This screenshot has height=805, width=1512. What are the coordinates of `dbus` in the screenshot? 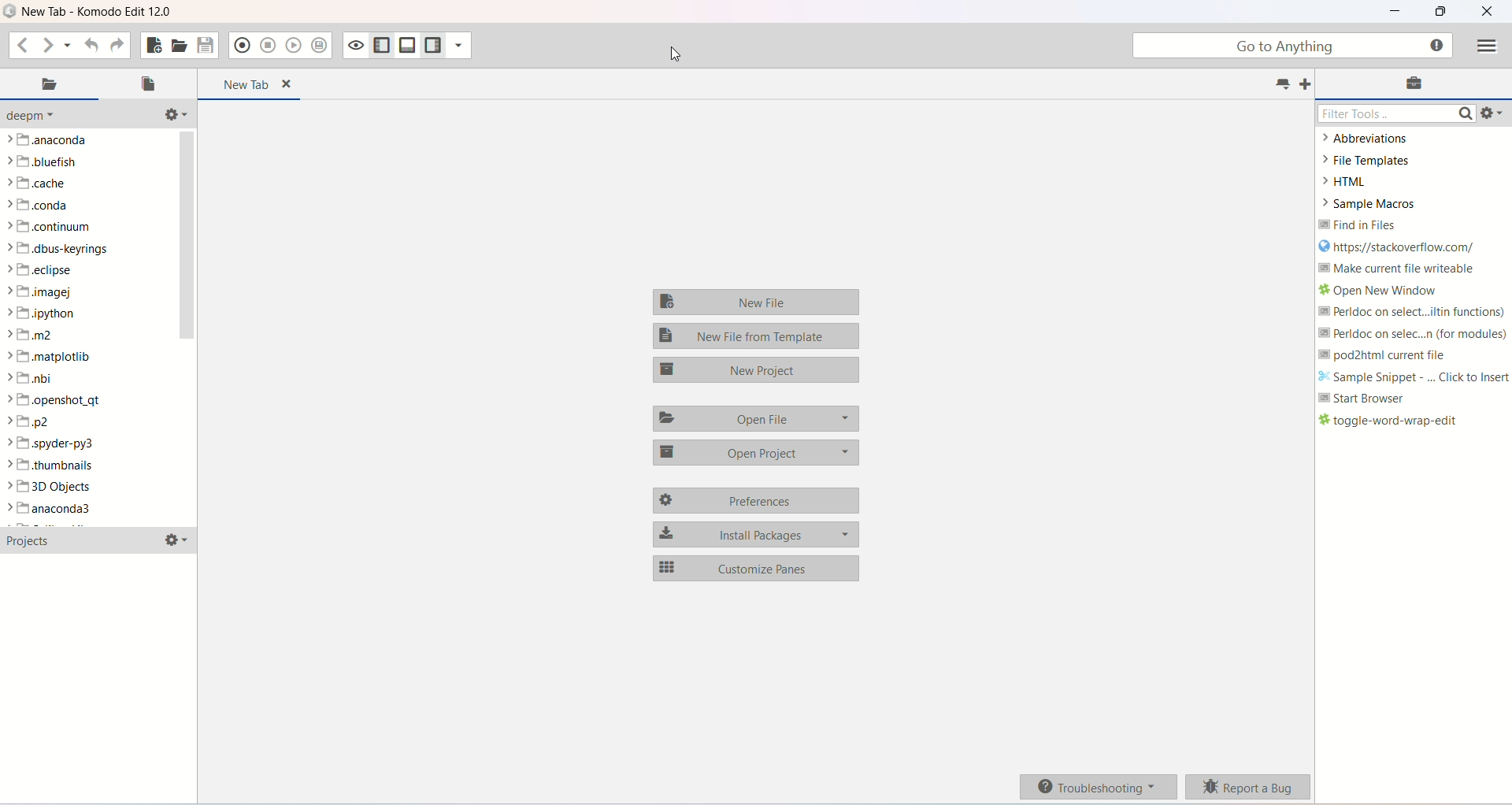 It's located at (64, 249).